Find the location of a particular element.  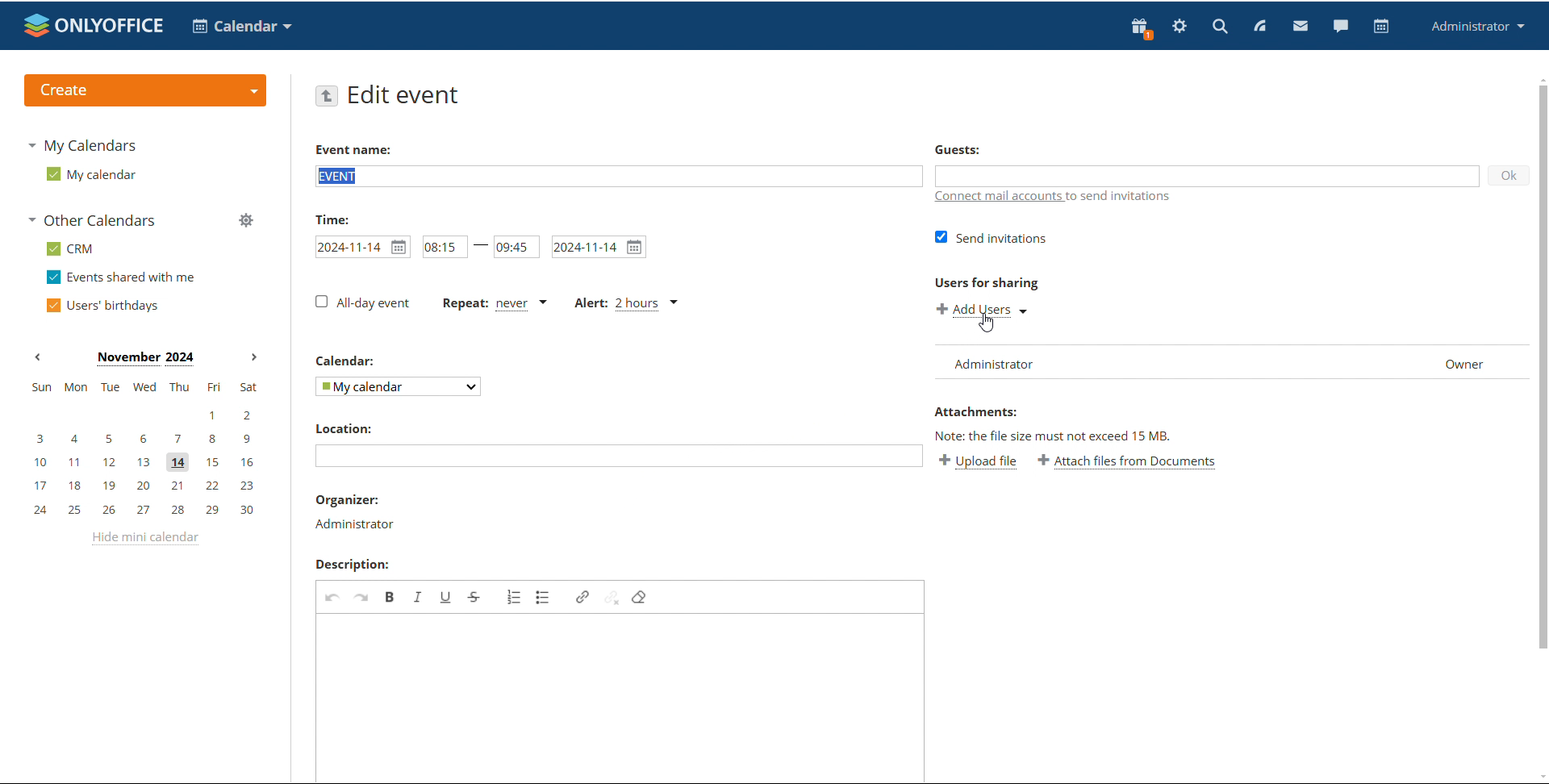

scroll down is located at coordinates (1539, 775).